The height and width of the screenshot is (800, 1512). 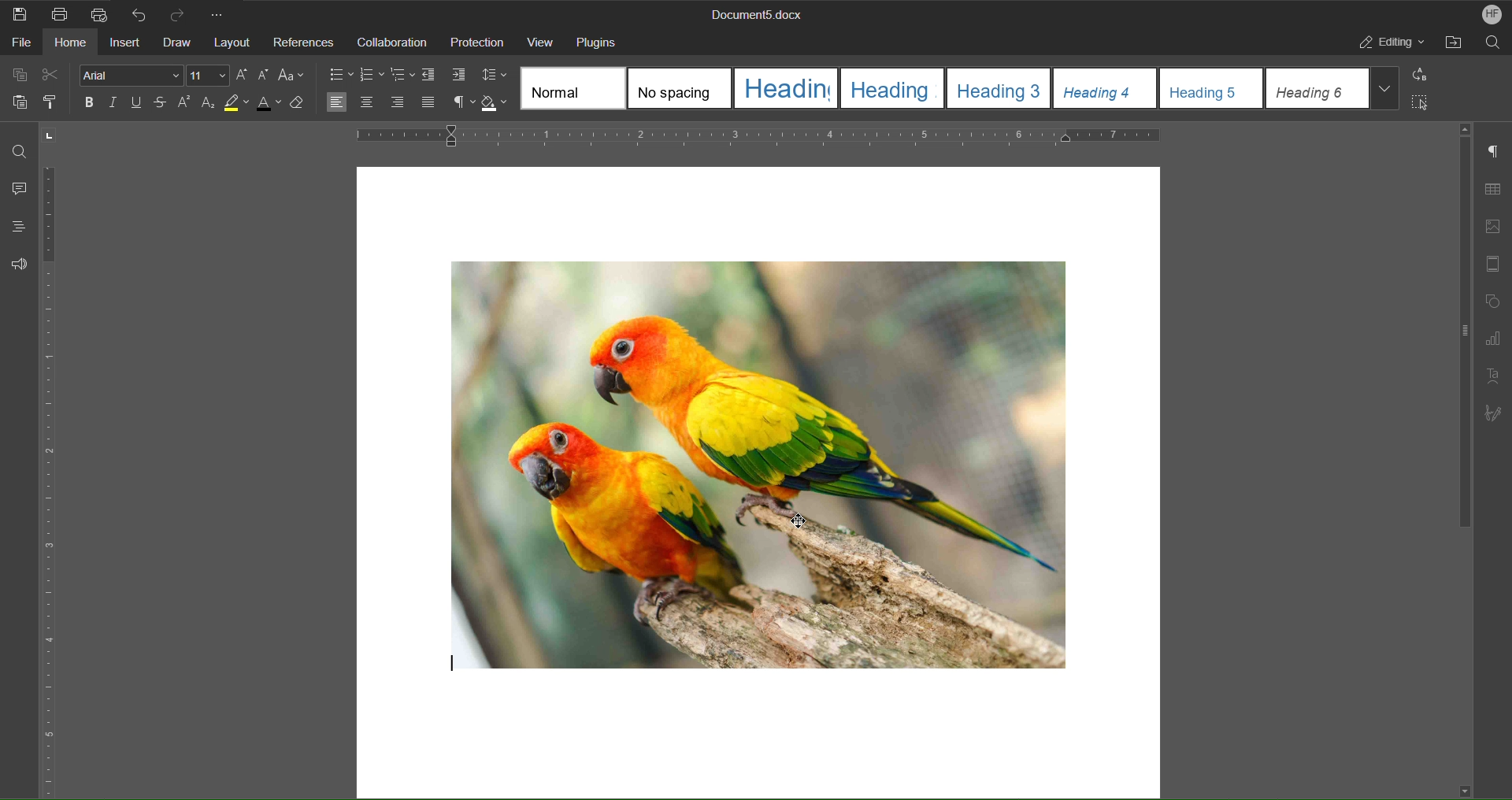 What do you see at coordinates (1487, 14) in the screenshot?
I see `Account` at bounding box center [1487, 14].